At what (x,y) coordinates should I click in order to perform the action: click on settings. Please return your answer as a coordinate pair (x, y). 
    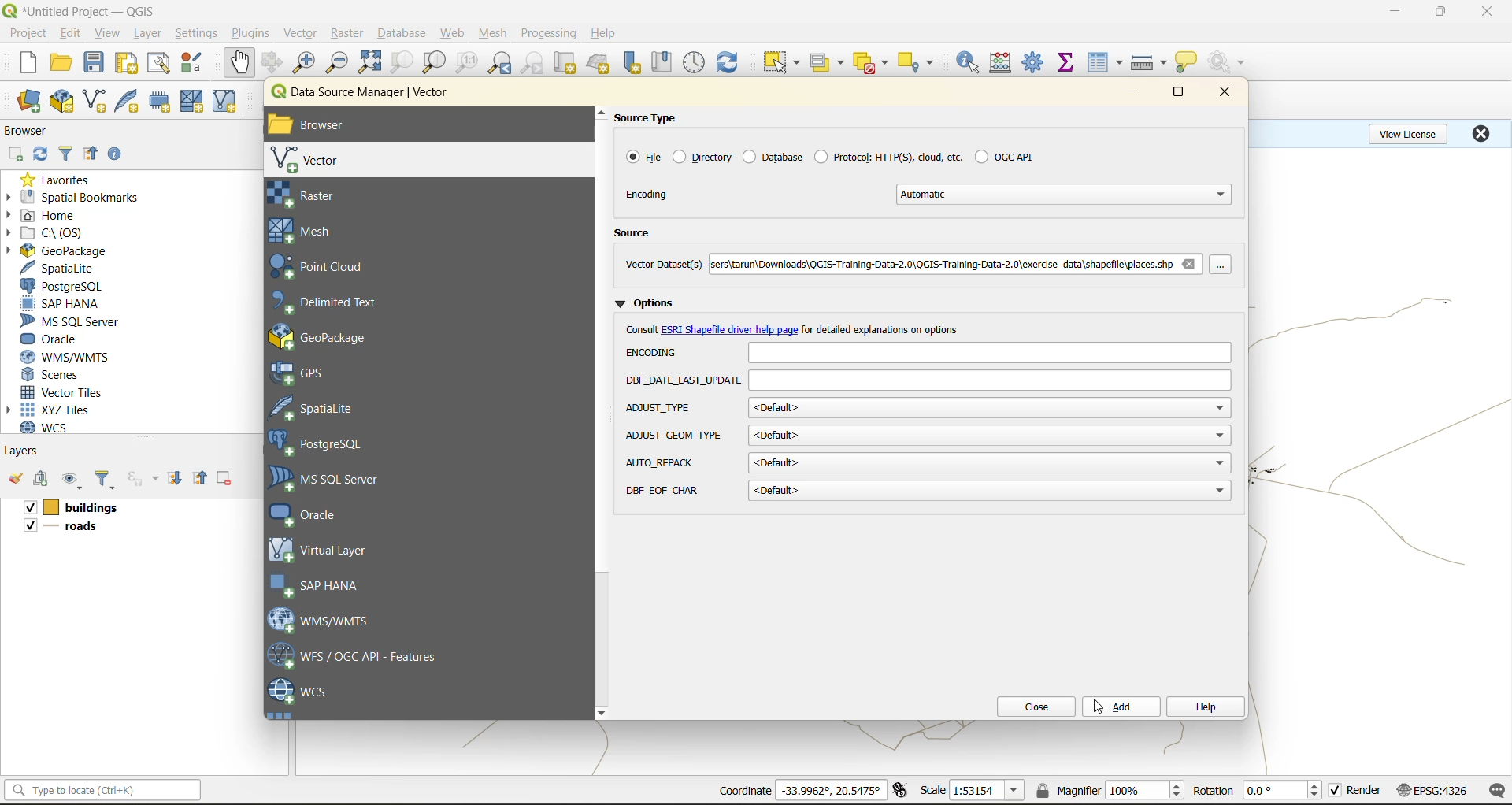
    Looking at the image, I should click on (196, 35).